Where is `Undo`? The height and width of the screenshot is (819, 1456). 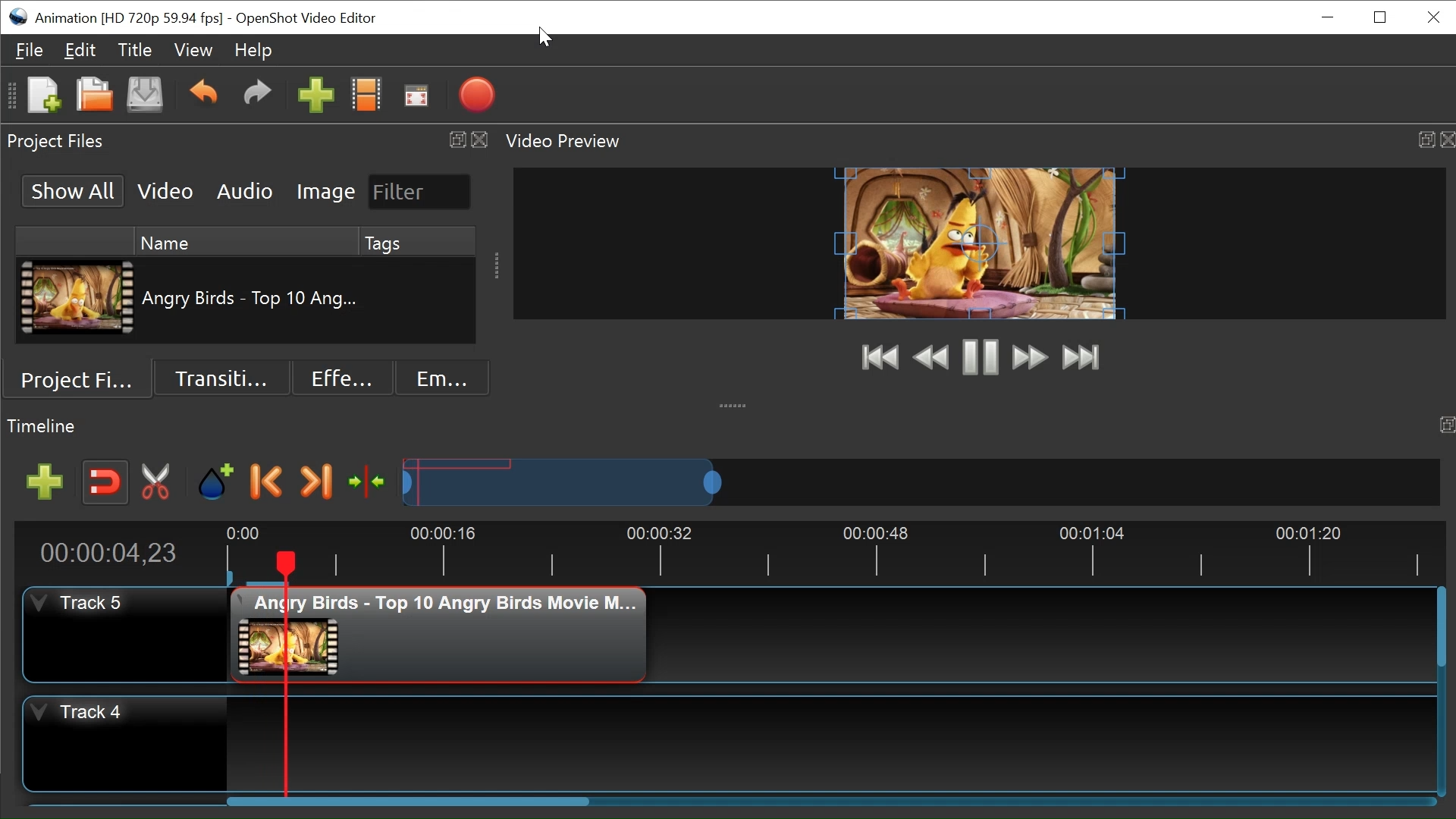
Undo is located at coordinates (206, 95).